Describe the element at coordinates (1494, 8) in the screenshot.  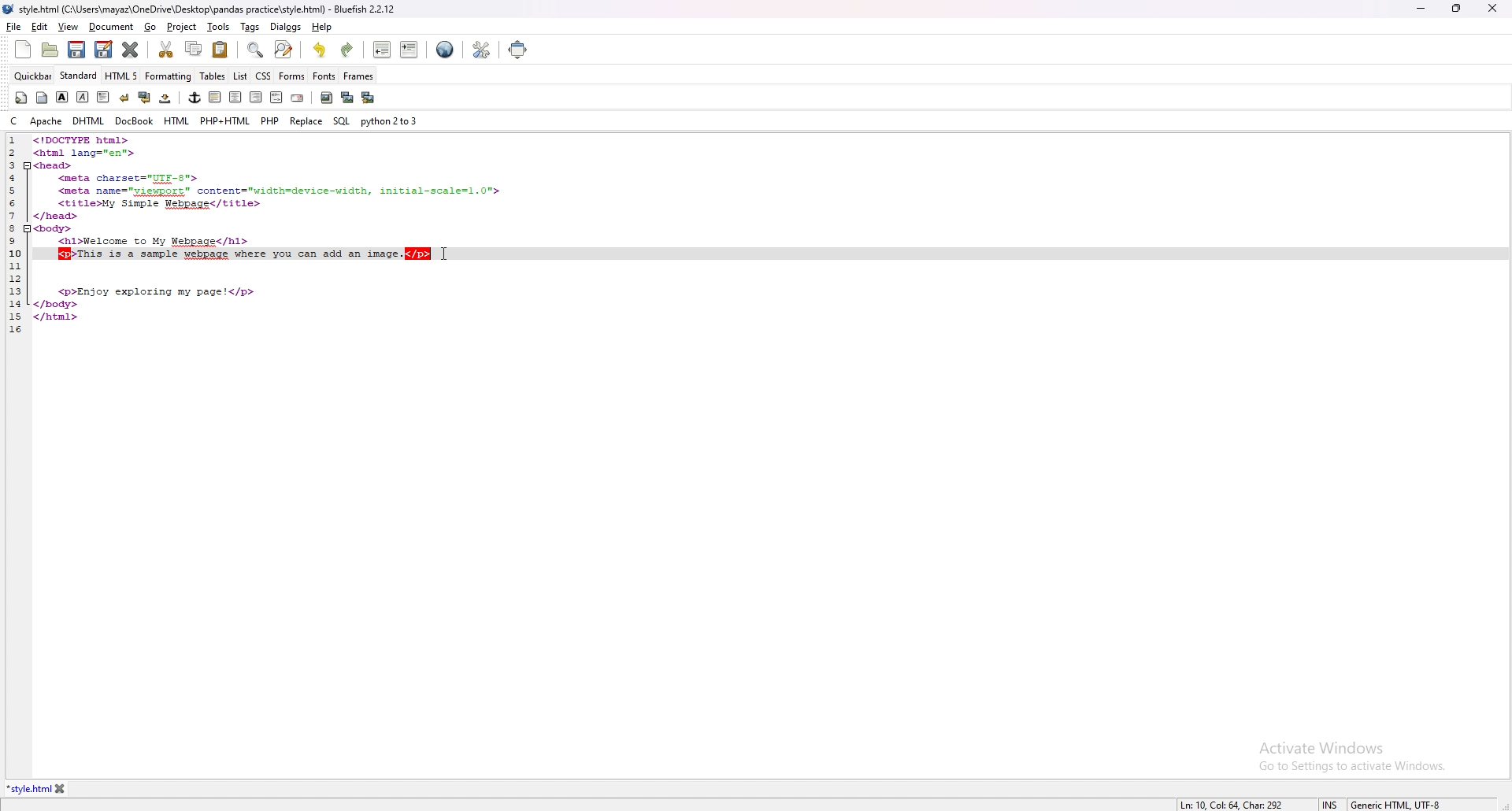
I see `close` at that location.